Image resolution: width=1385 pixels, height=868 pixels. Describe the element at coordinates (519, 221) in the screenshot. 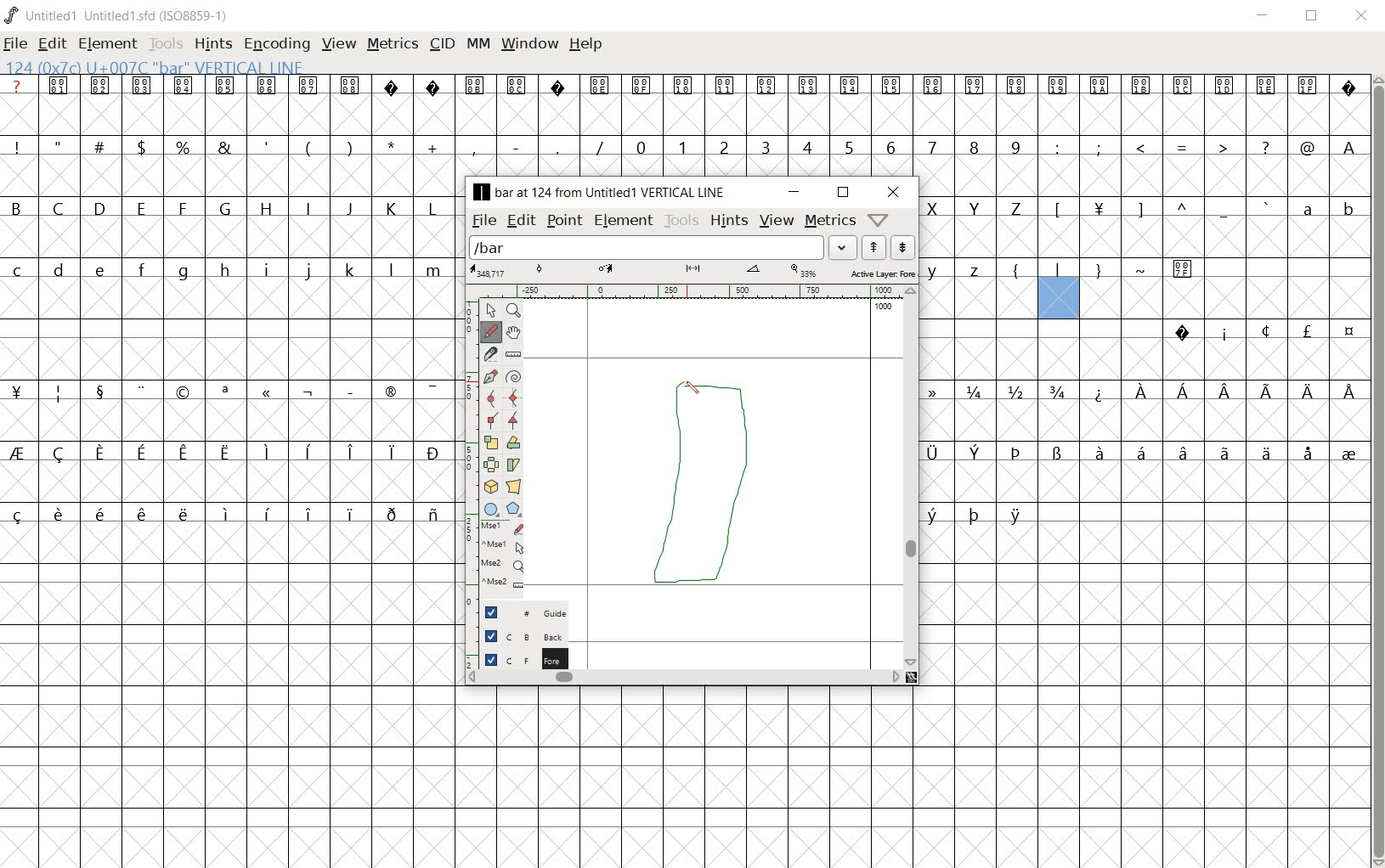

I see `edit` at that location.